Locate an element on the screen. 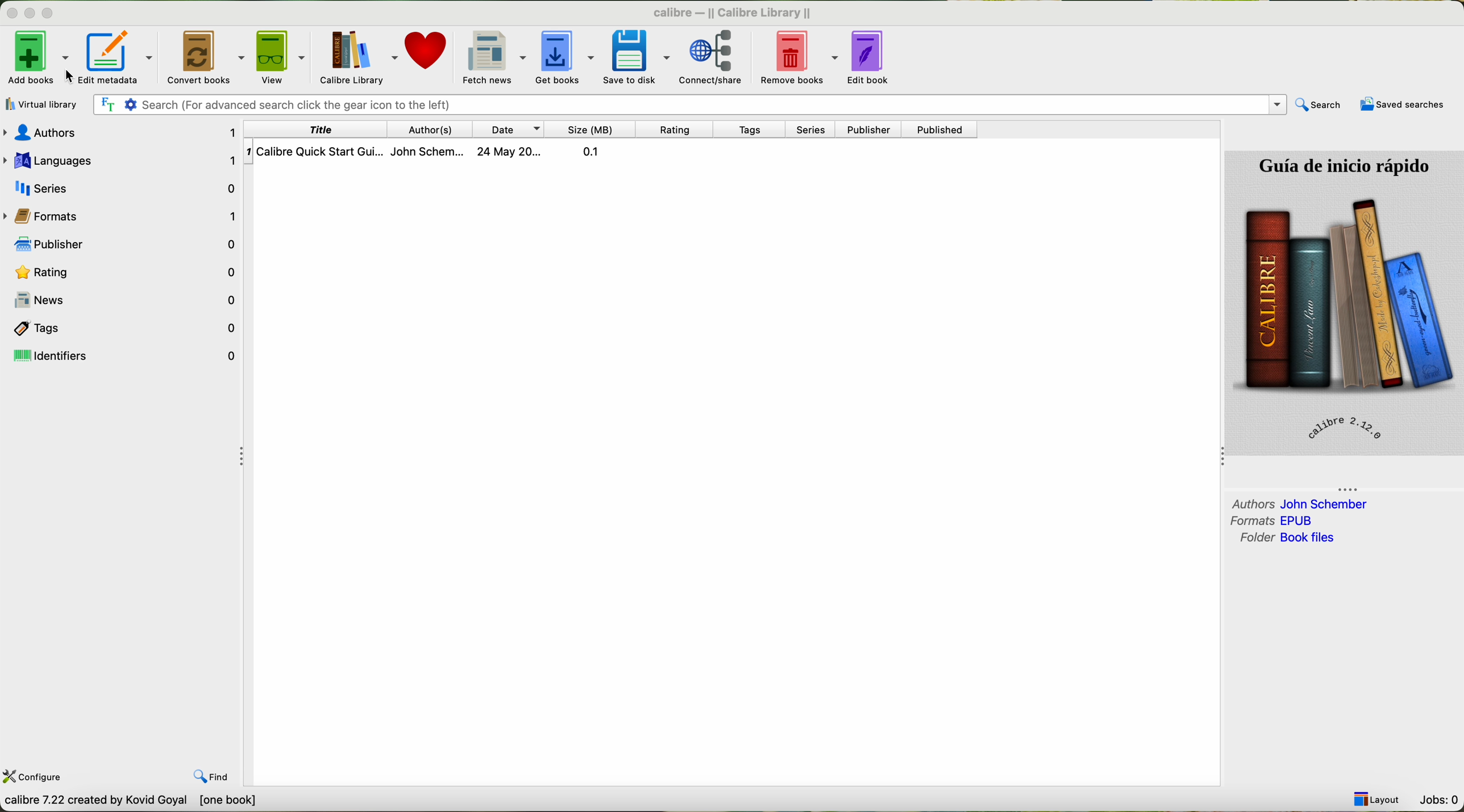 This screenshot has height=812, width=1464. Jobs: 0 is located at coordinates (1440, 801).